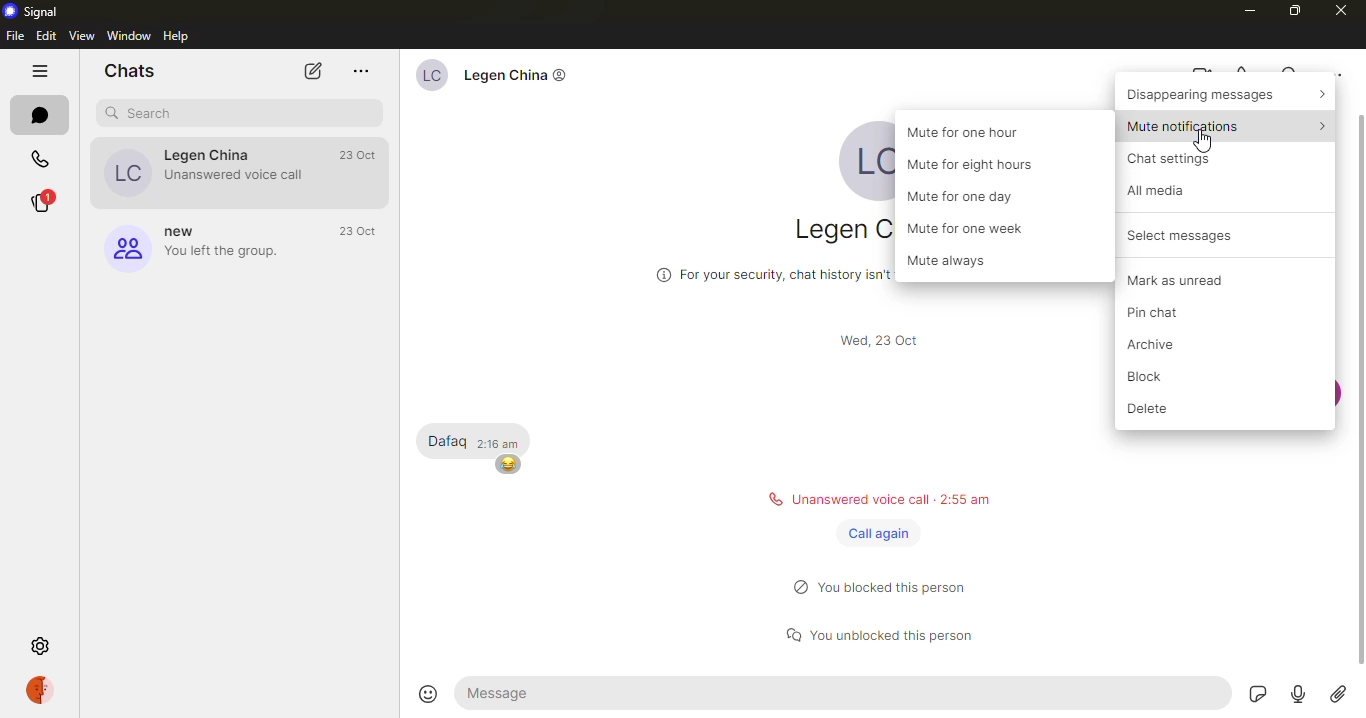  What do you see at coordinates (971, 130) in the screenshot?
I see `mute for 1 hour` at bounding box center [971, 130].